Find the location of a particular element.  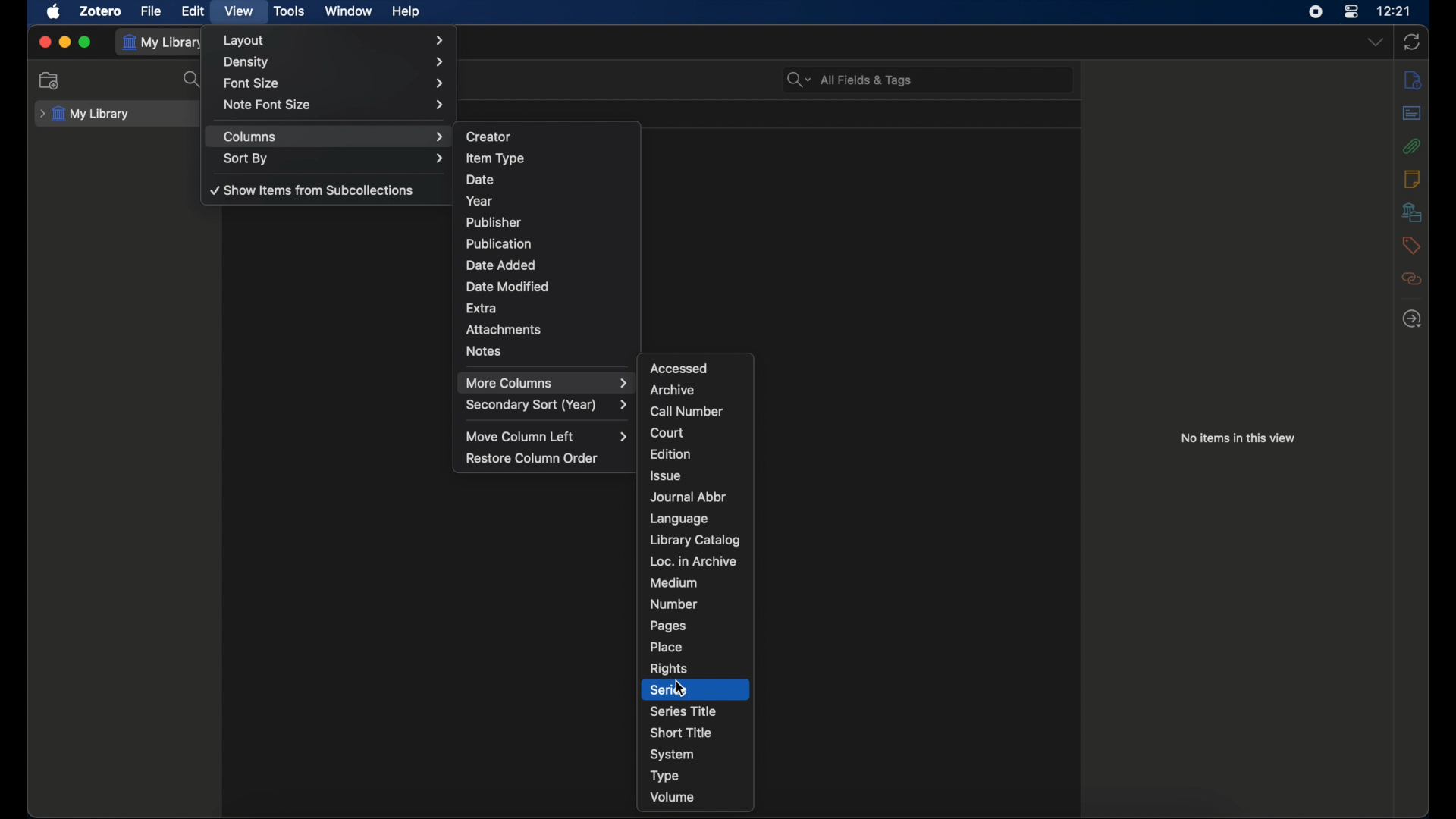

show items from subcollections is located at coordinates (315, 190).